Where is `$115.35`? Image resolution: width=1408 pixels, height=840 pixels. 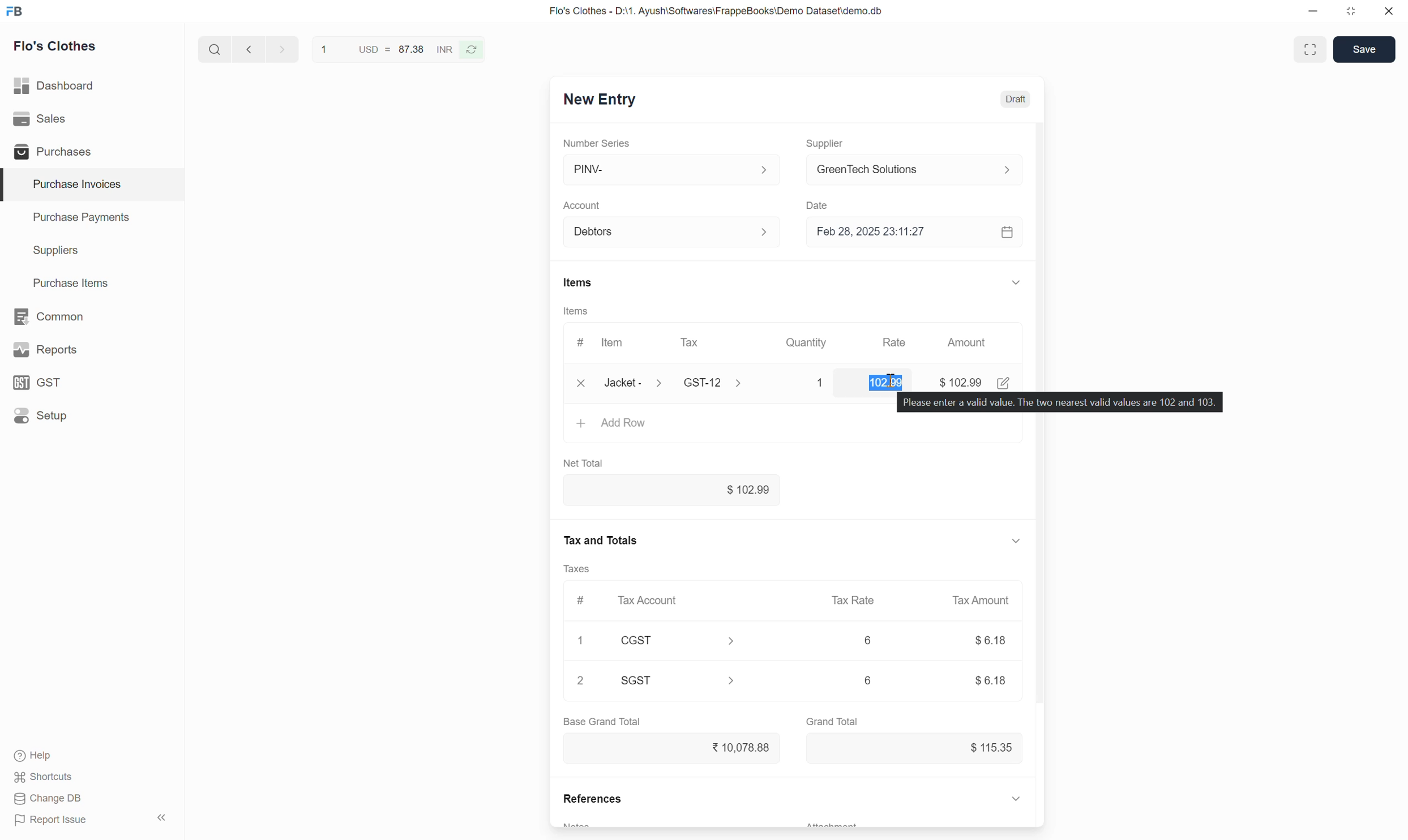 $115.35 is located at coordinates (916, 748).